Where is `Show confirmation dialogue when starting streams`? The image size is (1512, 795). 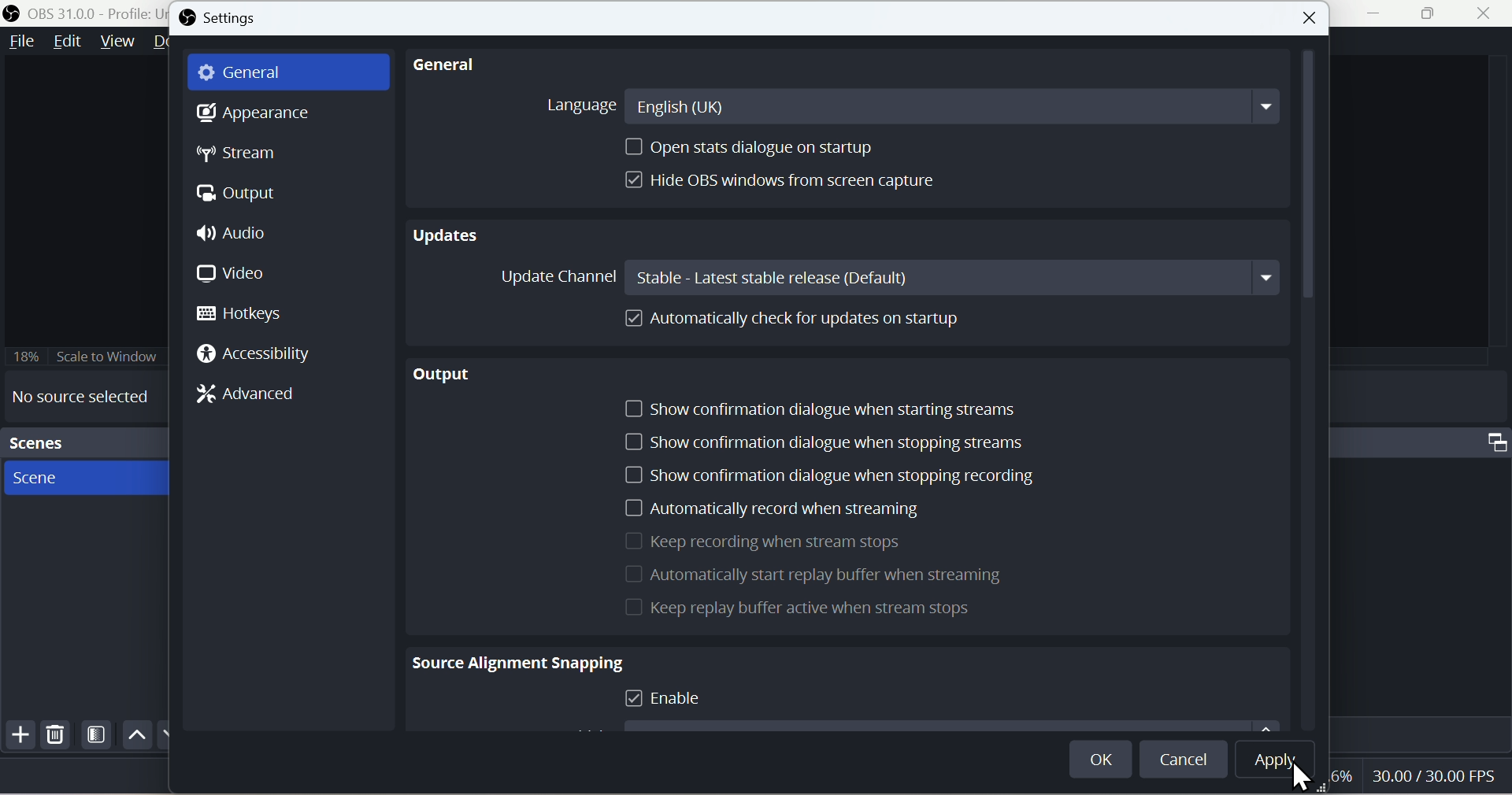
Show confirmation dialogue when starting streams is located at coordinates (831, 409).